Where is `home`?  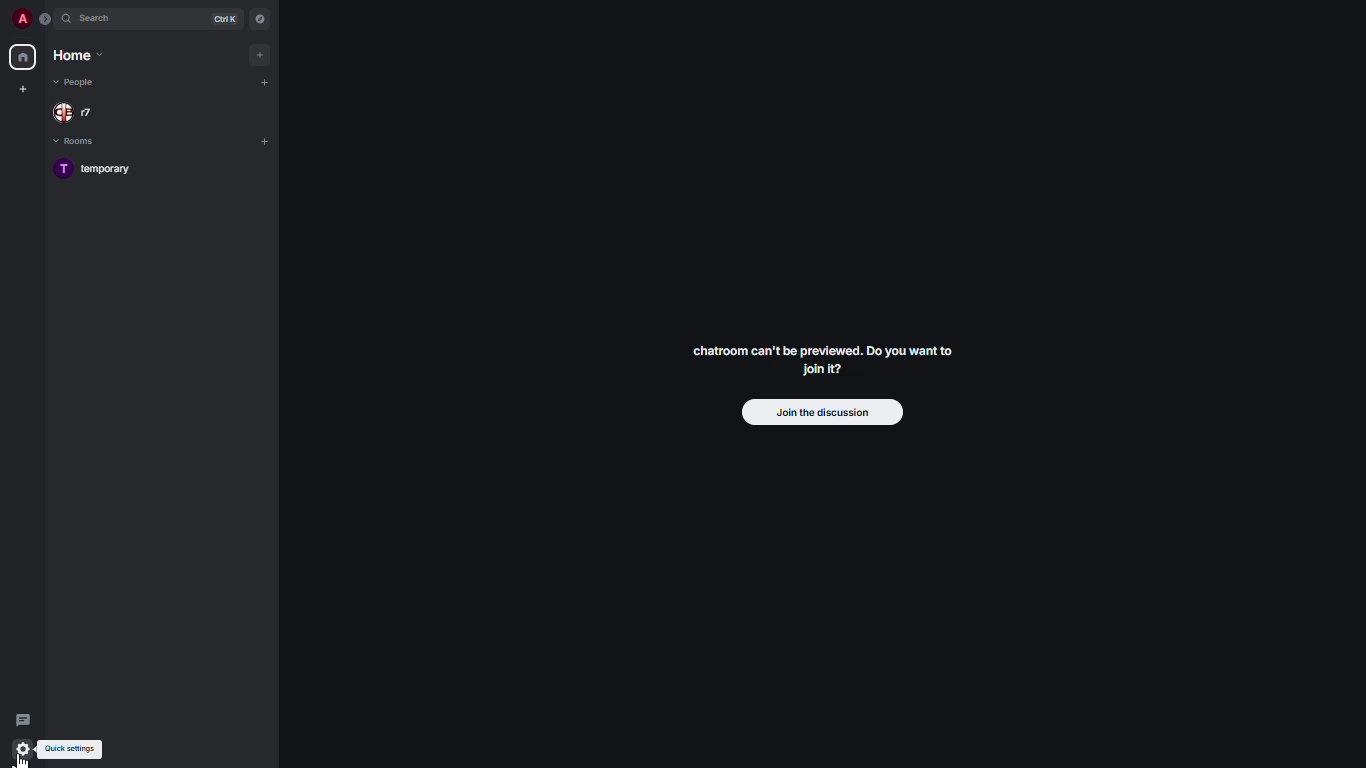
home is located at coordinates (24, 57).